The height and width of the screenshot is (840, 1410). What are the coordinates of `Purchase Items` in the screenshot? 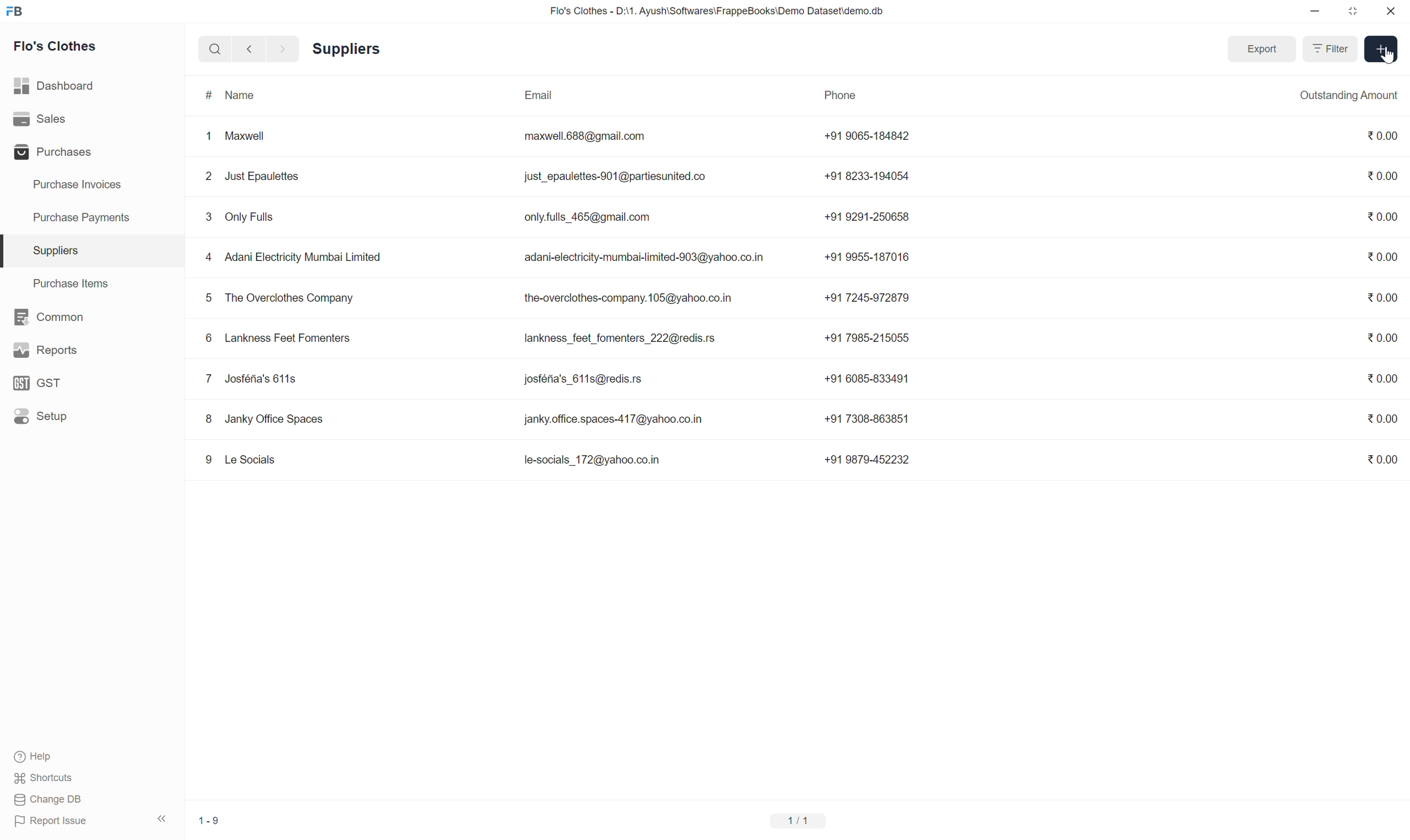 It's located at (92, 284).